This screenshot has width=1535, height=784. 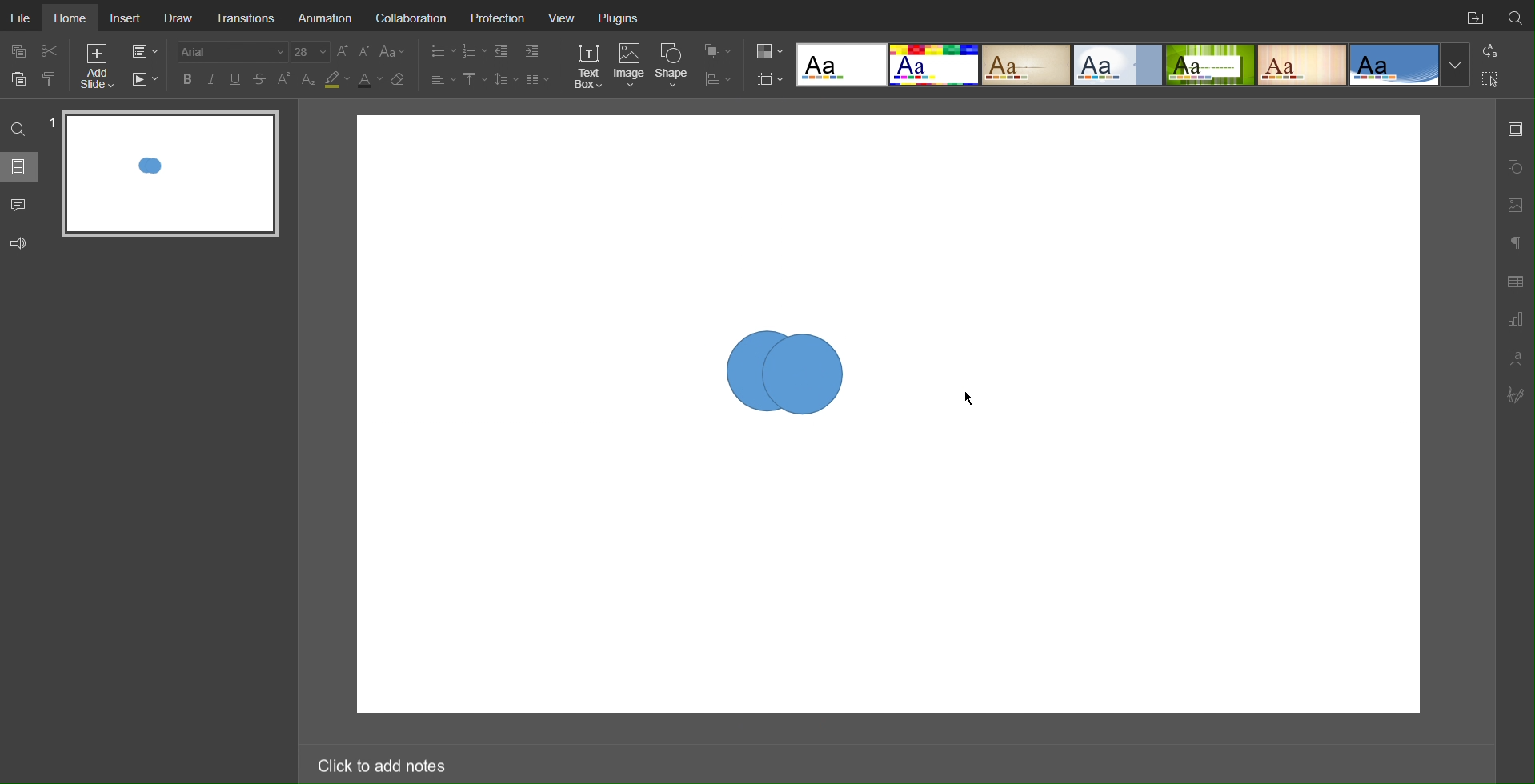 What do you see at coordinates (285, 79) in the screenshot?
I see `Superscript` at bounding box center [285, 79].